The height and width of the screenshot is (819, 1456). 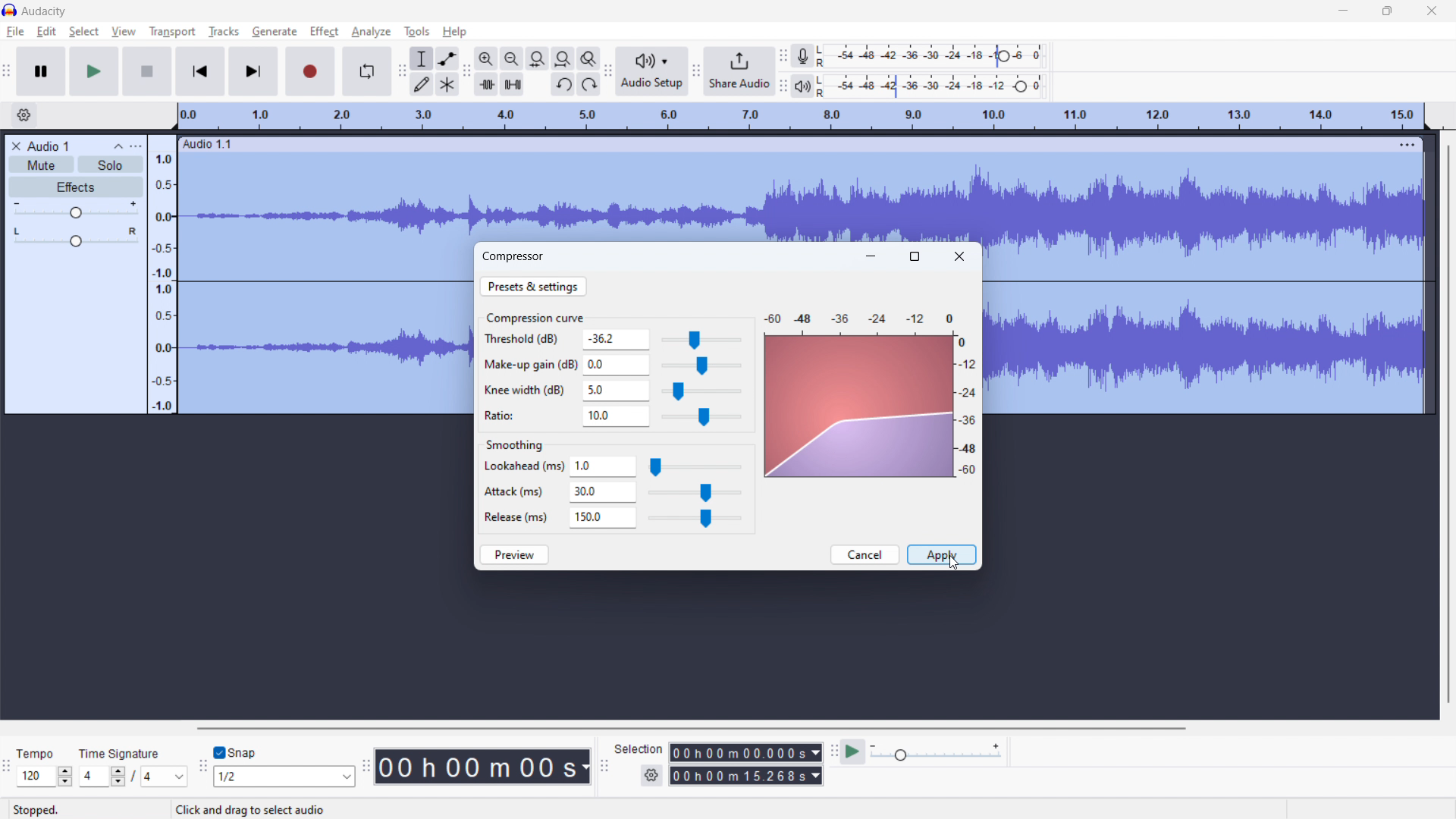 What do you see at coordinates (255, 72) in the screenshot?
I see `skip to end` at bounding box center [255, 72].